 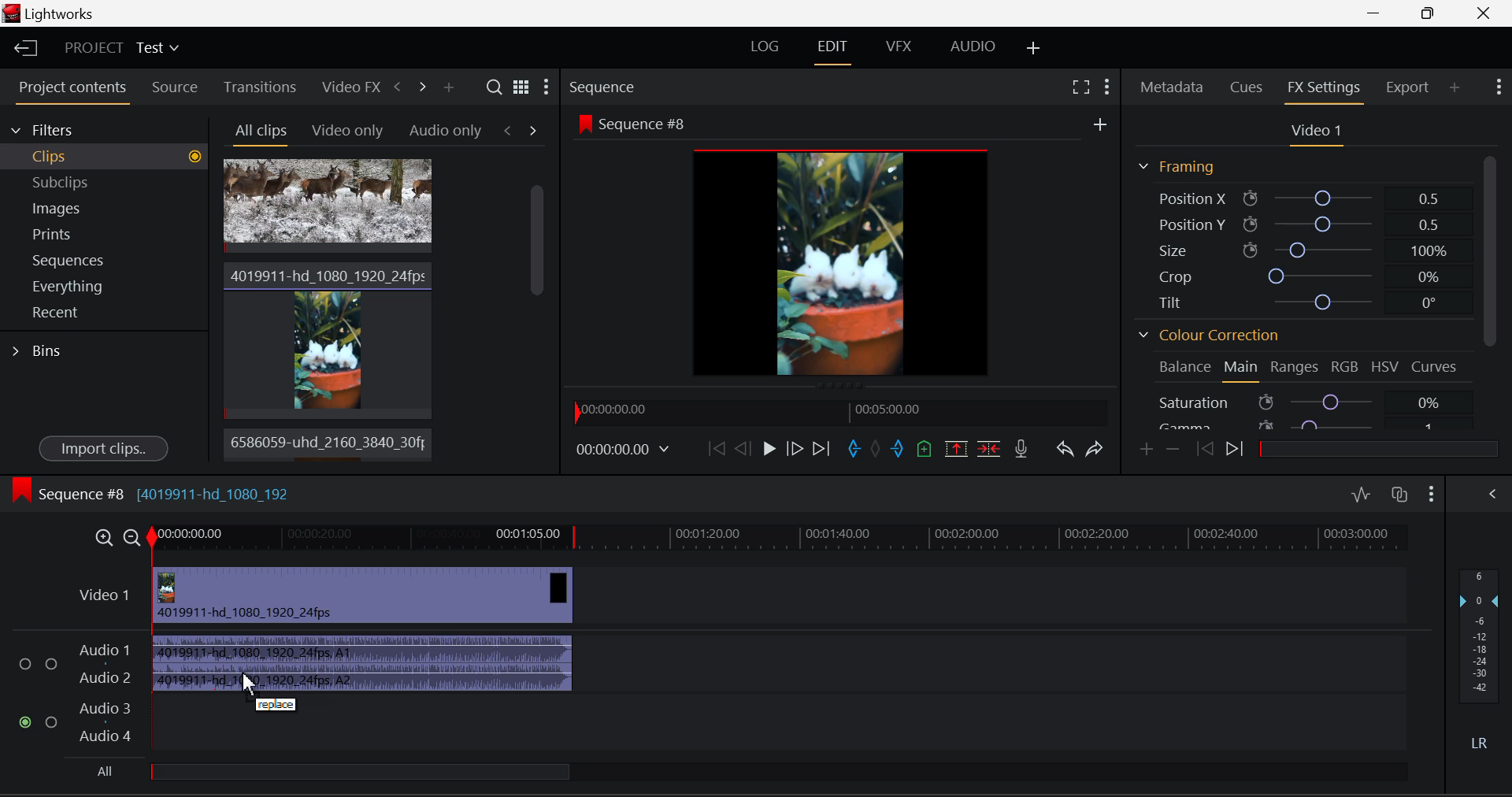 What do you see at coordinates (1079, 86) in the screenshot?
I see `Full Screen` at bounding box center [1079, 86].